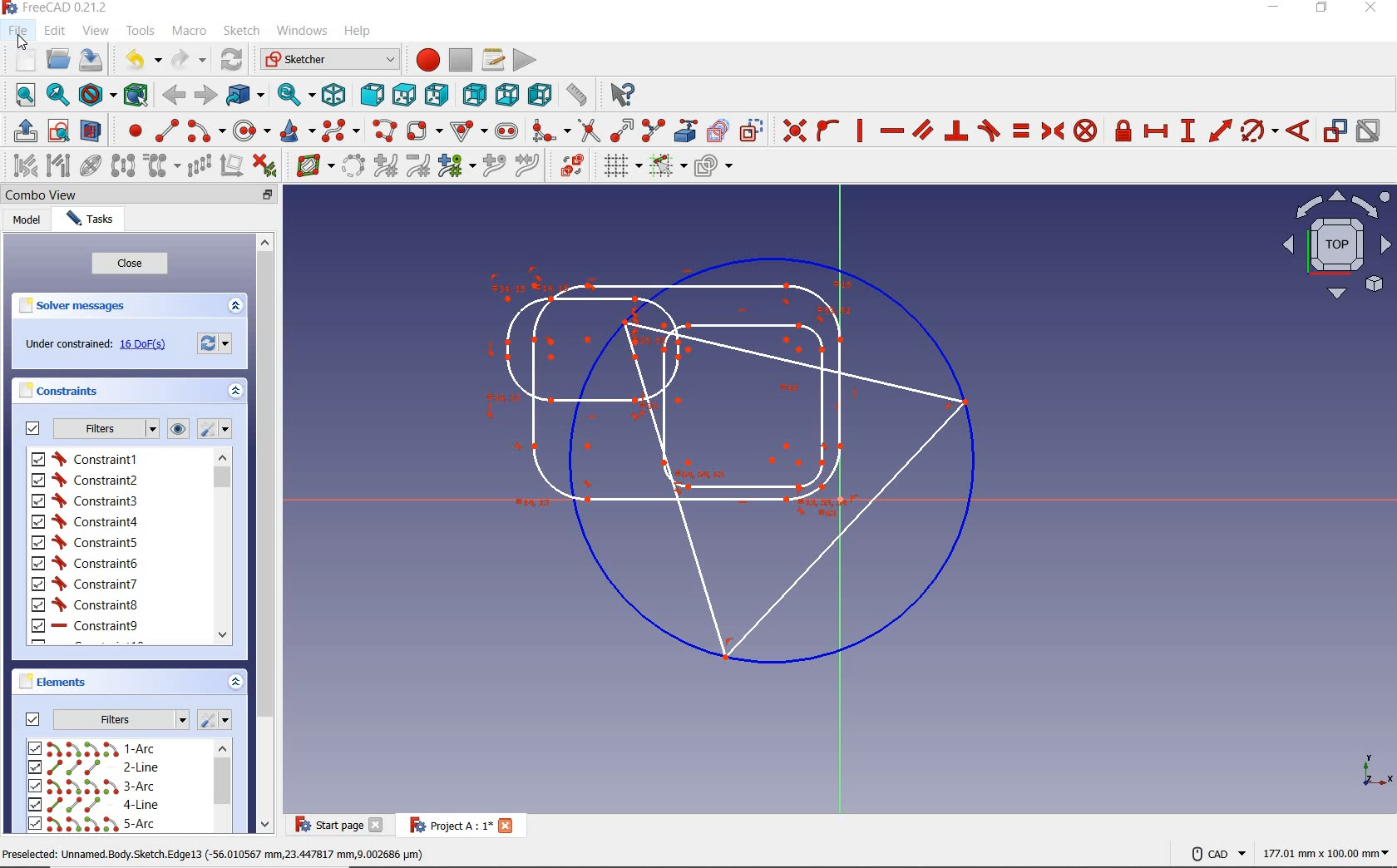 This screenshot has width=1397, height=868. What do you see at coordinates (44, 195) in the screenshot?
I see `combo view` at bounding box center [44, 195].